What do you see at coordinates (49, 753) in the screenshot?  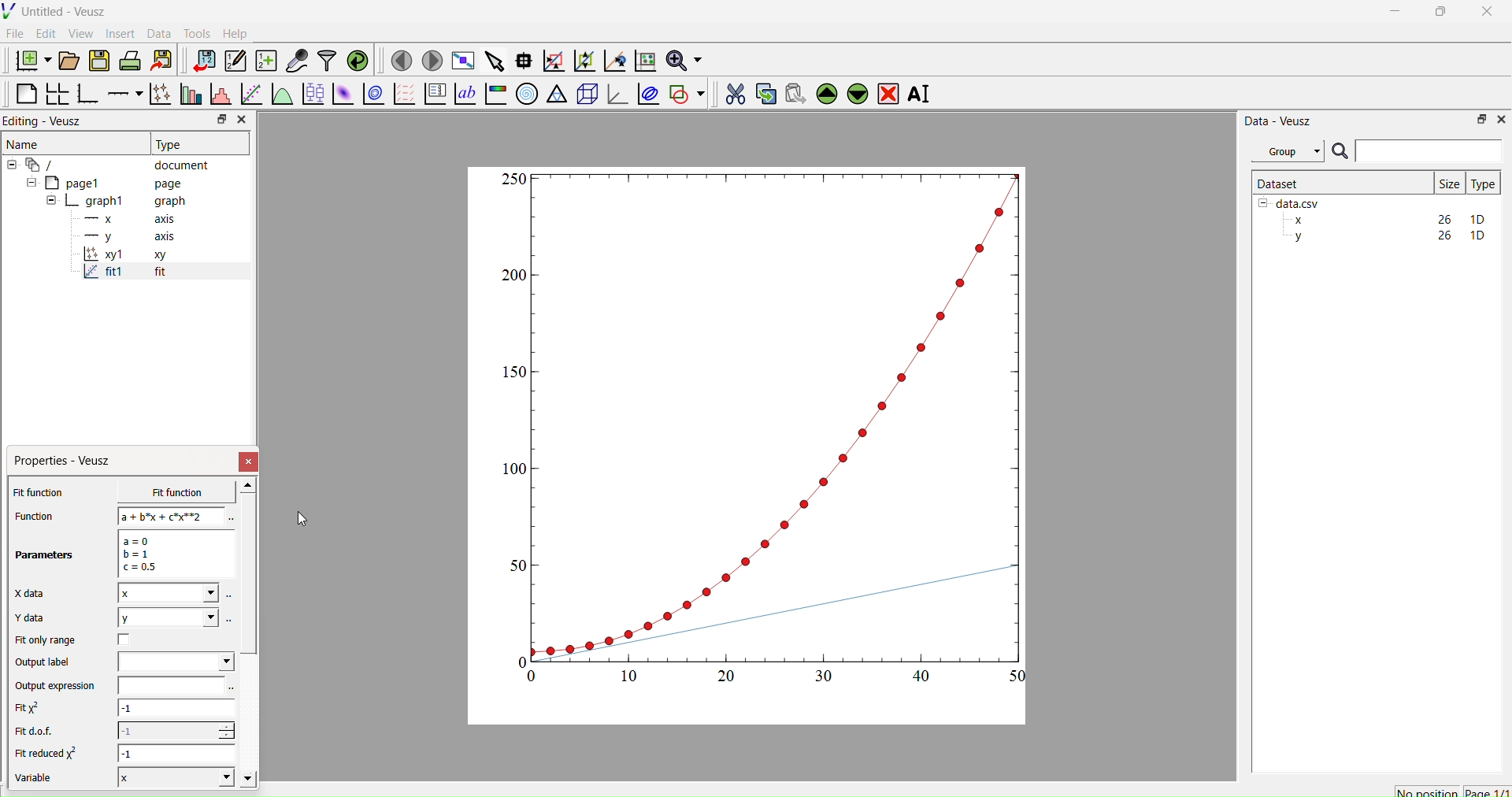 I see `Fit reduced x^2` at bounding box center [49, 753].